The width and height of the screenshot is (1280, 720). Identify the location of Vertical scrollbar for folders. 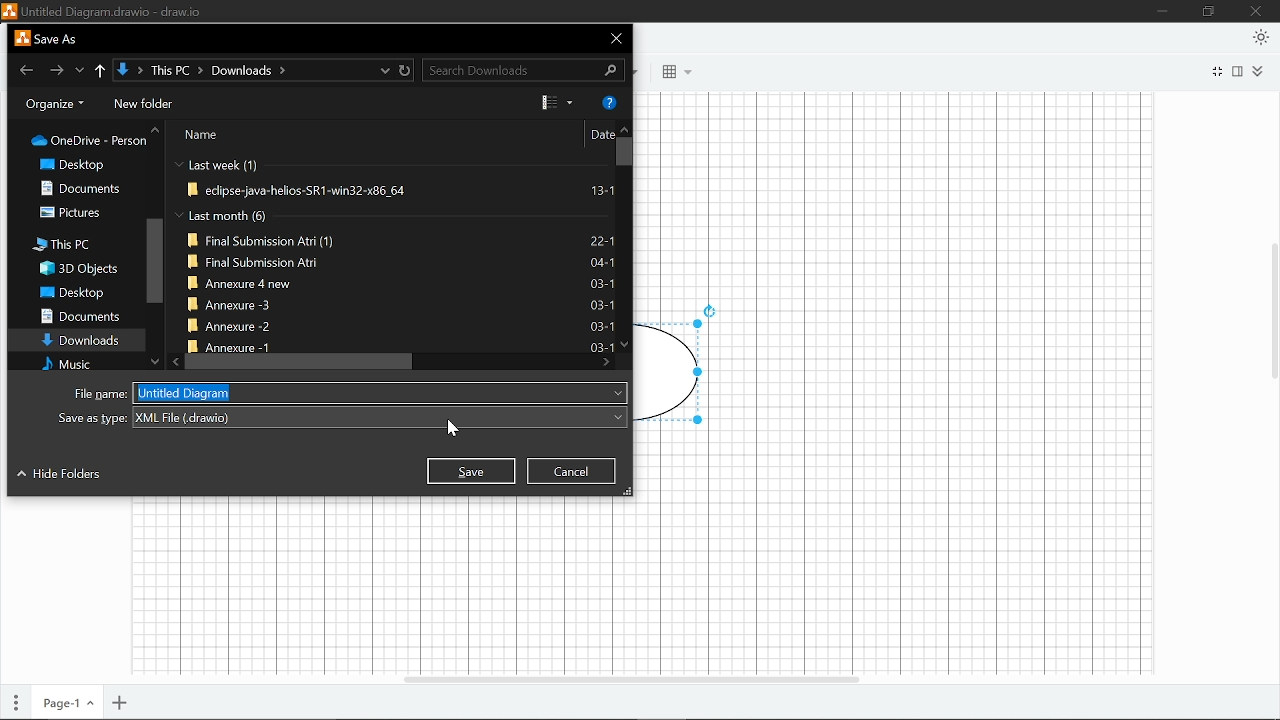
(154, 260).